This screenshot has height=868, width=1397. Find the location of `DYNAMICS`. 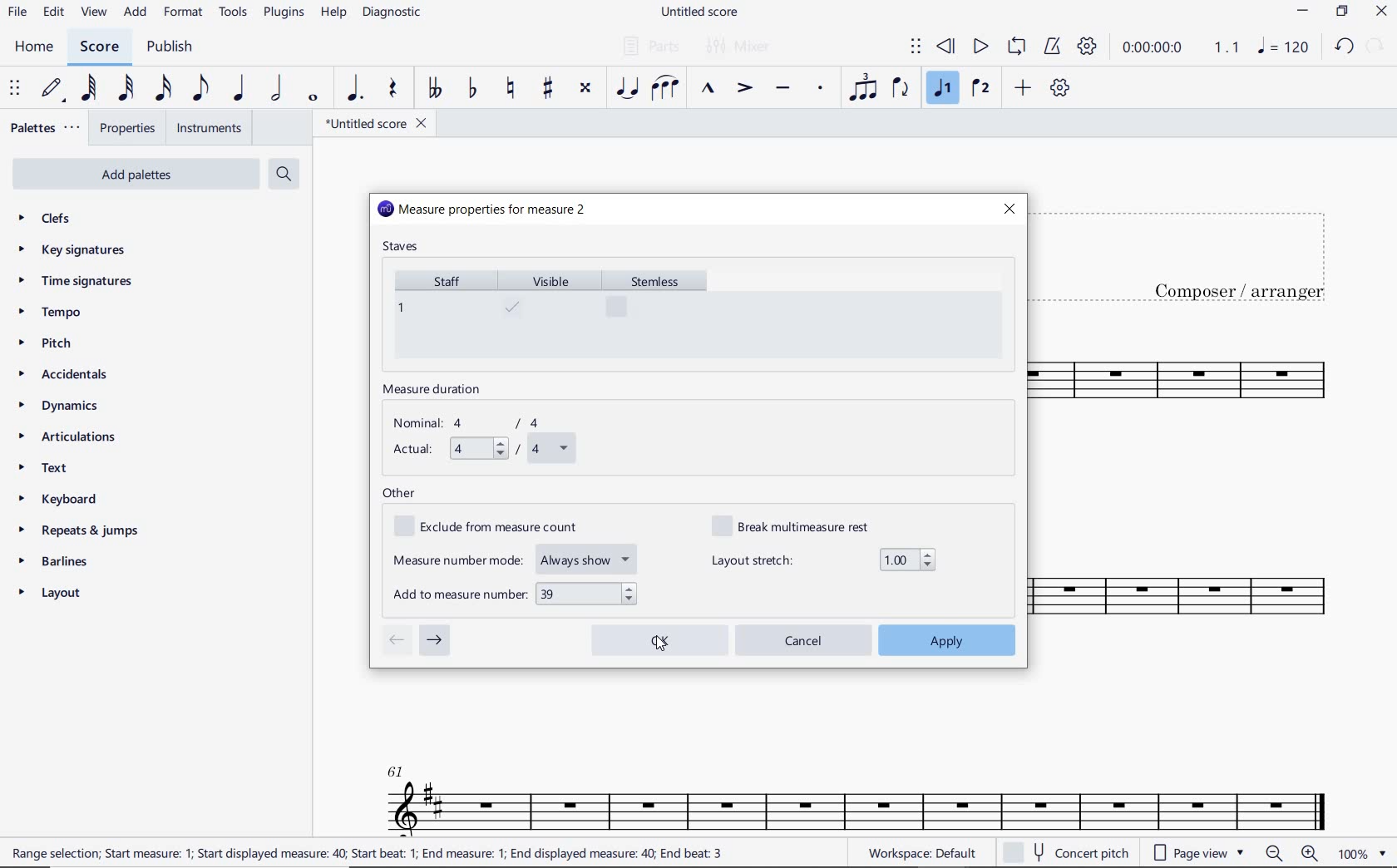

DYNAMICS is located at coordinates (67, 407).